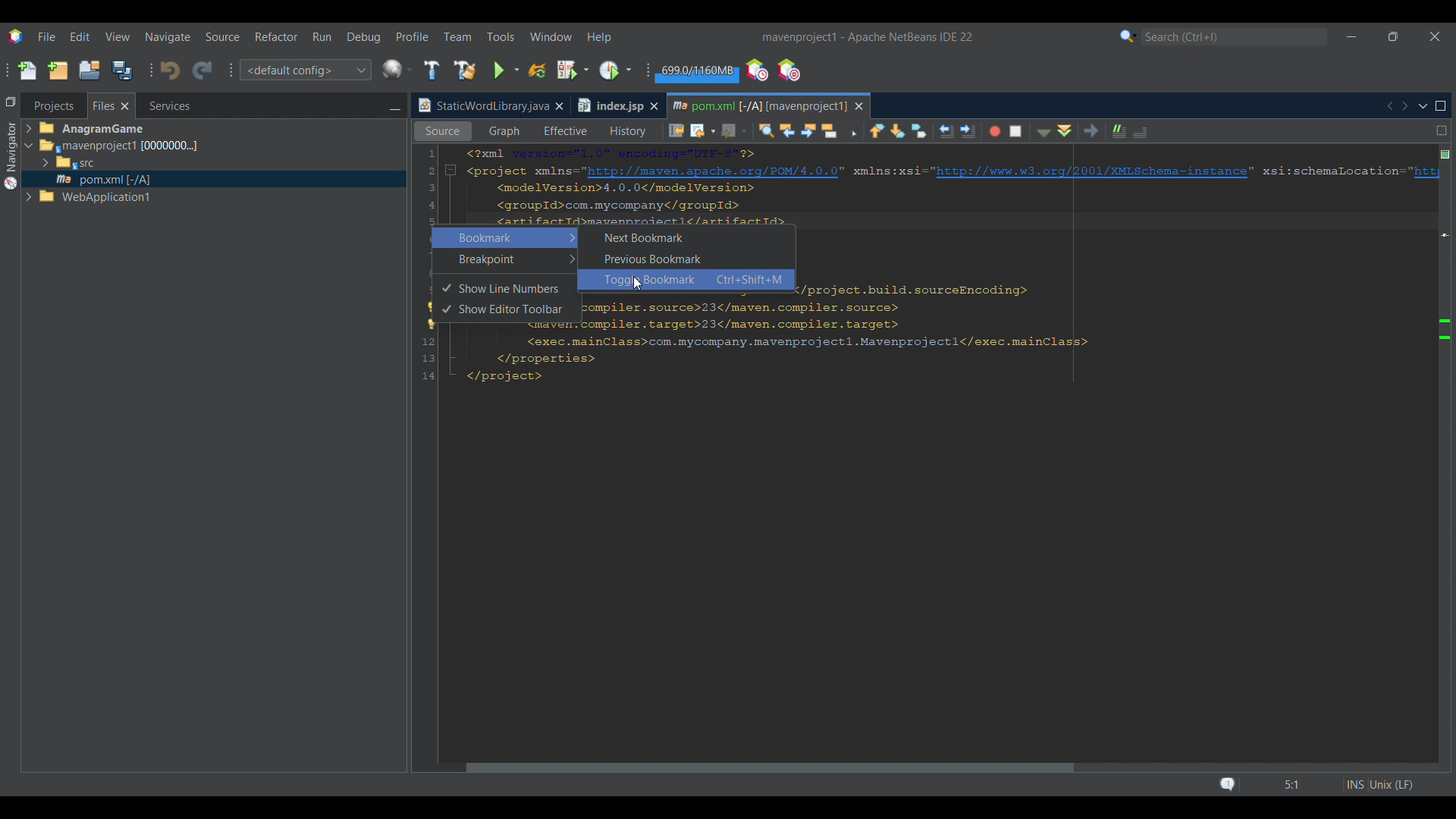 This screenshot has width=1456, height=819. Describe the element at coordinates (27, 71) in the screenshot. I see `New file` at that location.